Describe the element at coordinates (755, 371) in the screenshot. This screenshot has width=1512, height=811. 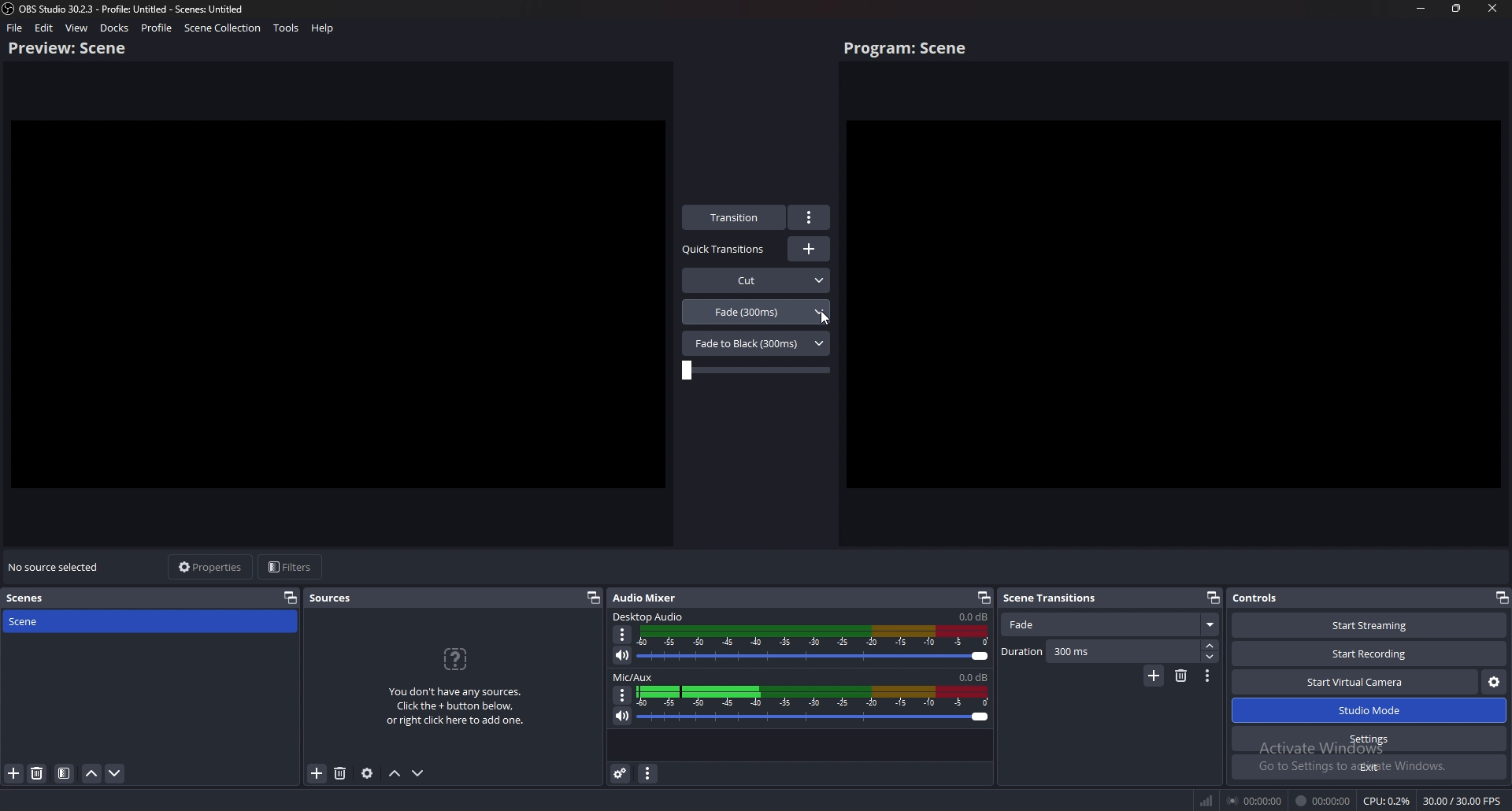
I see `bar` at that location.